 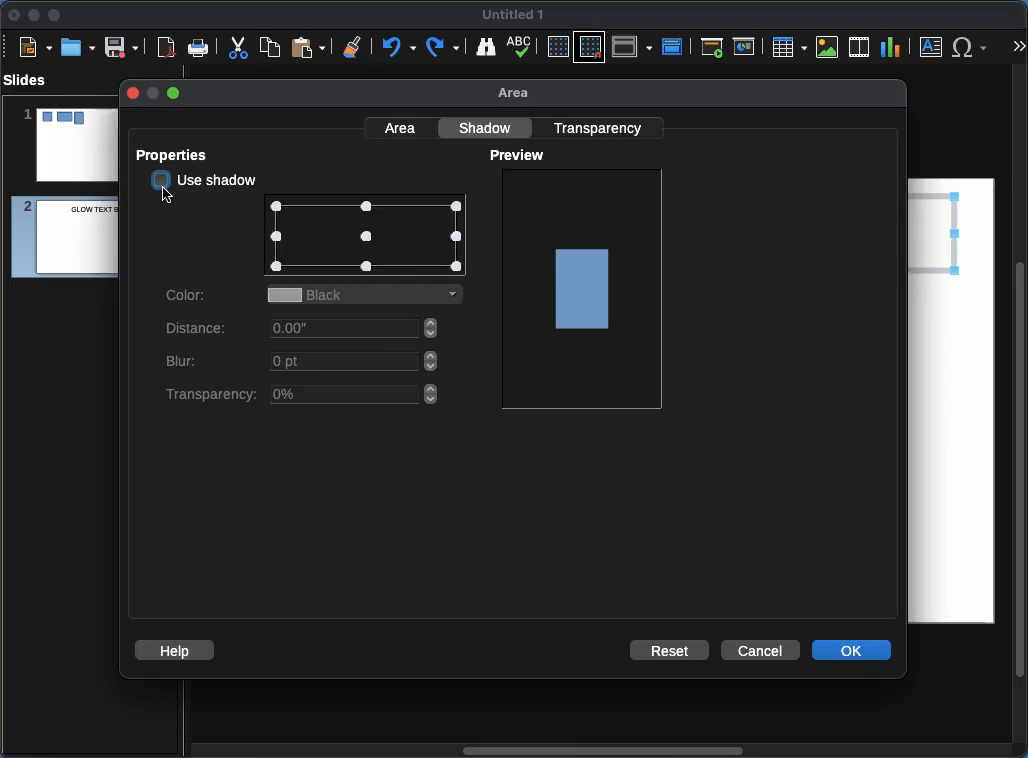 What do you see at coordinates (488, 127) in the screenshot?
I see `Shadow` at bounding box center [488, 127].